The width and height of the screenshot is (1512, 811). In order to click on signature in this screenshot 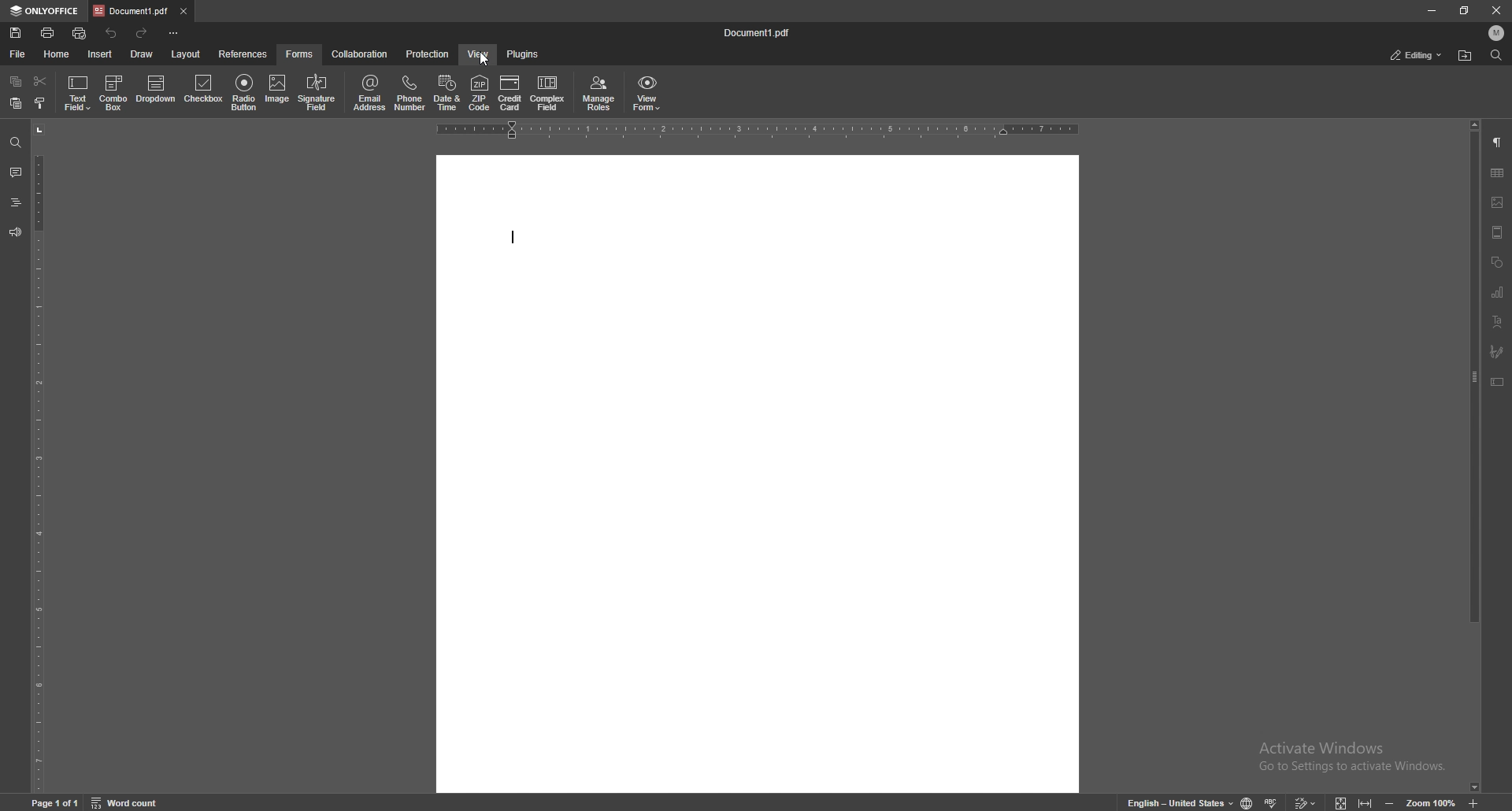, I will do `click(1496, 350)`.